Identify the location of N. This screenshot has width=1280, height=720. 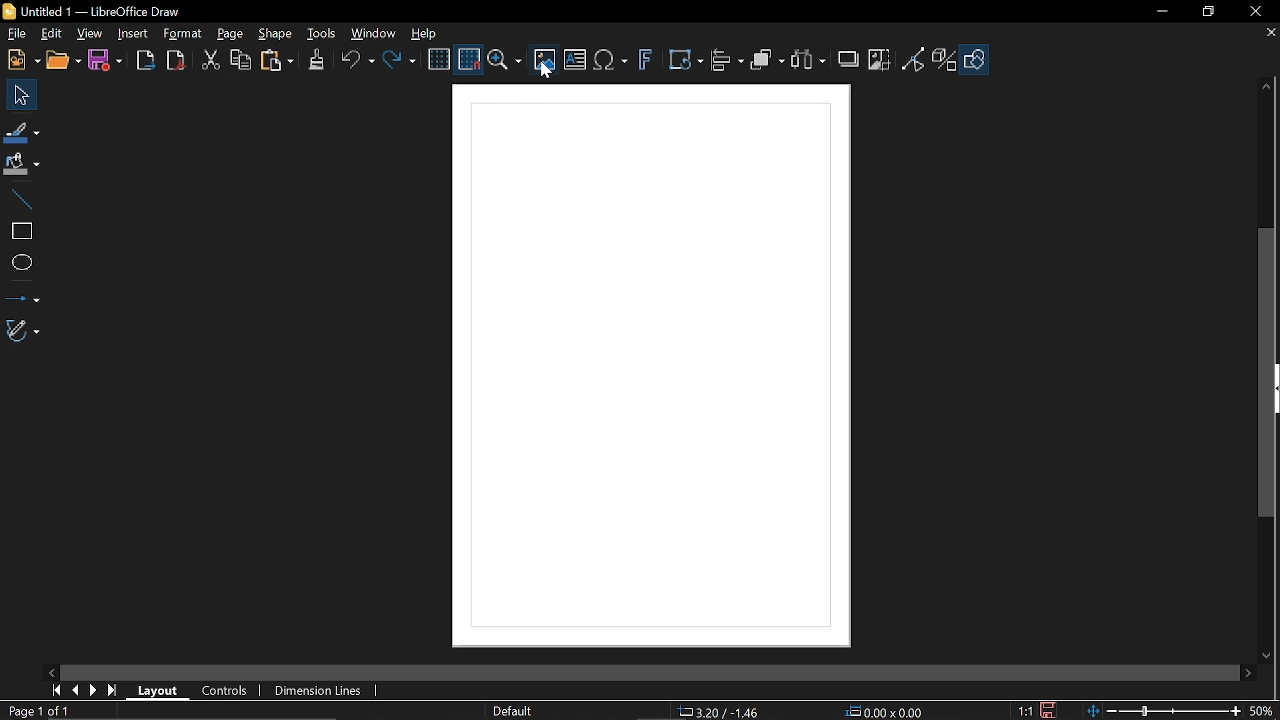
(22, 61).